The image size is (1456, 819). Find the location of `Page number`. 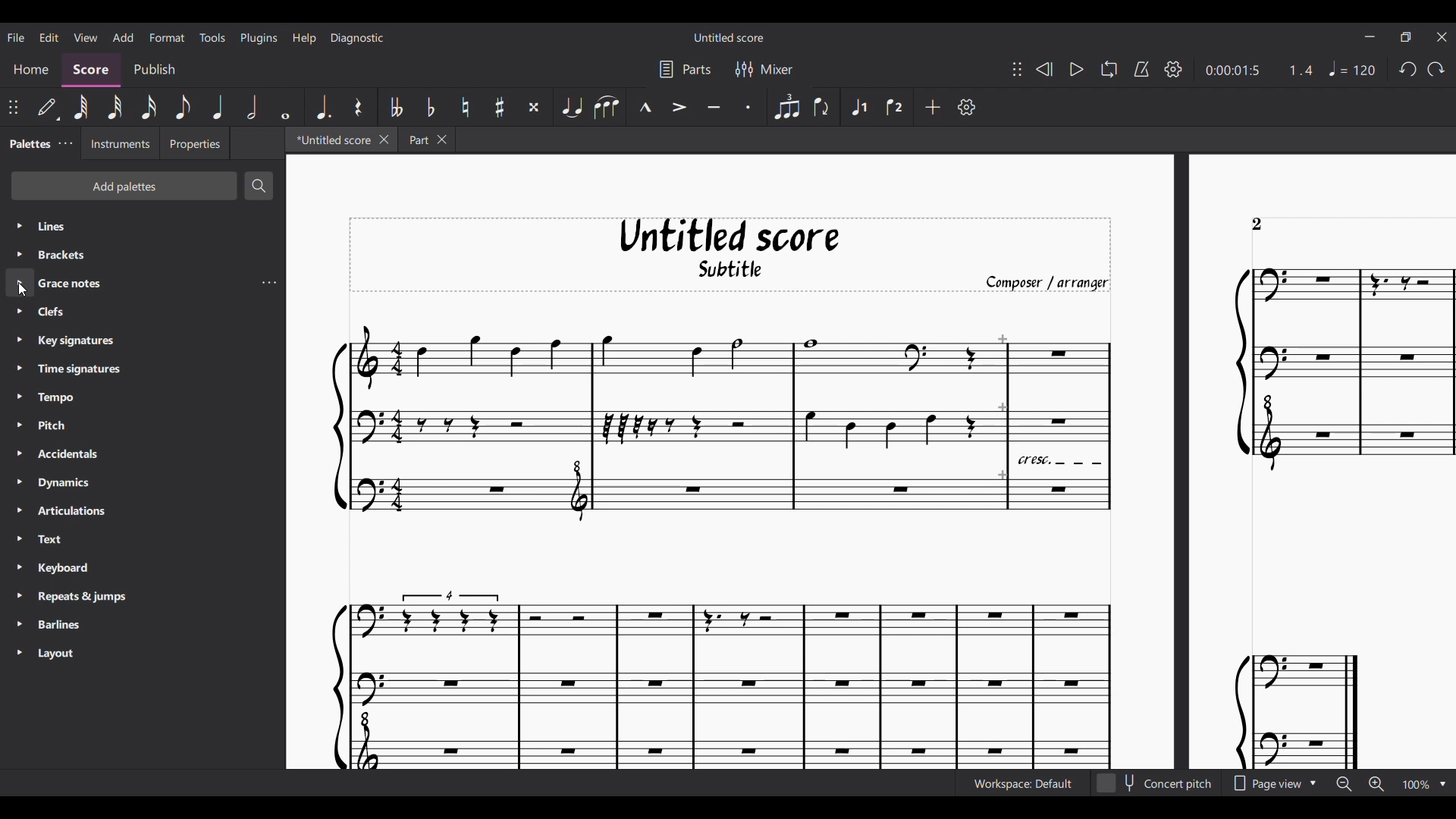

Page number is located at coordinates (1257, 224).